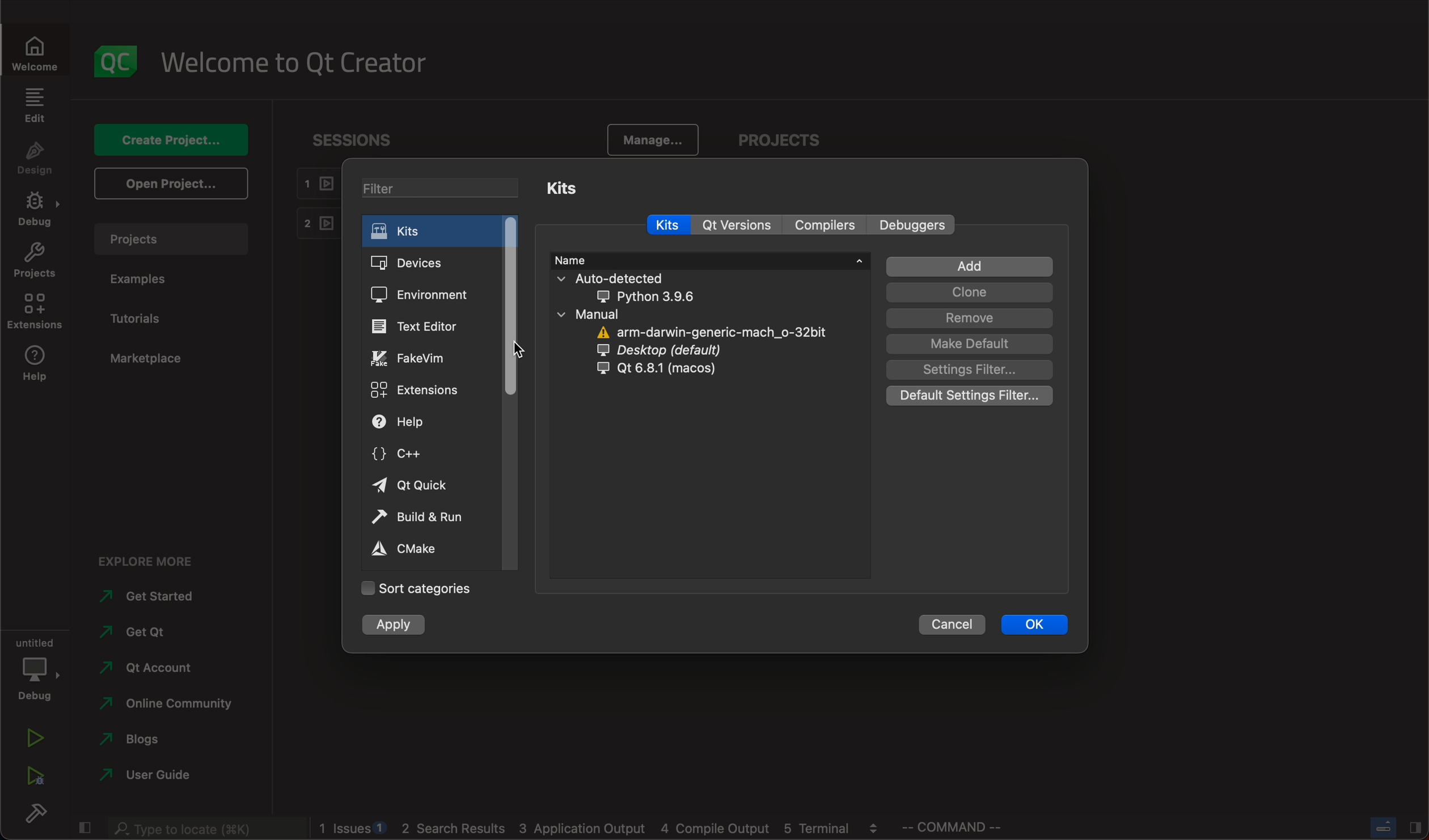 The width and height of the screenshot is (1429, 840). Describe the element at coordinates (649, 287) in the screenshot. I see `auto detected` at that location.